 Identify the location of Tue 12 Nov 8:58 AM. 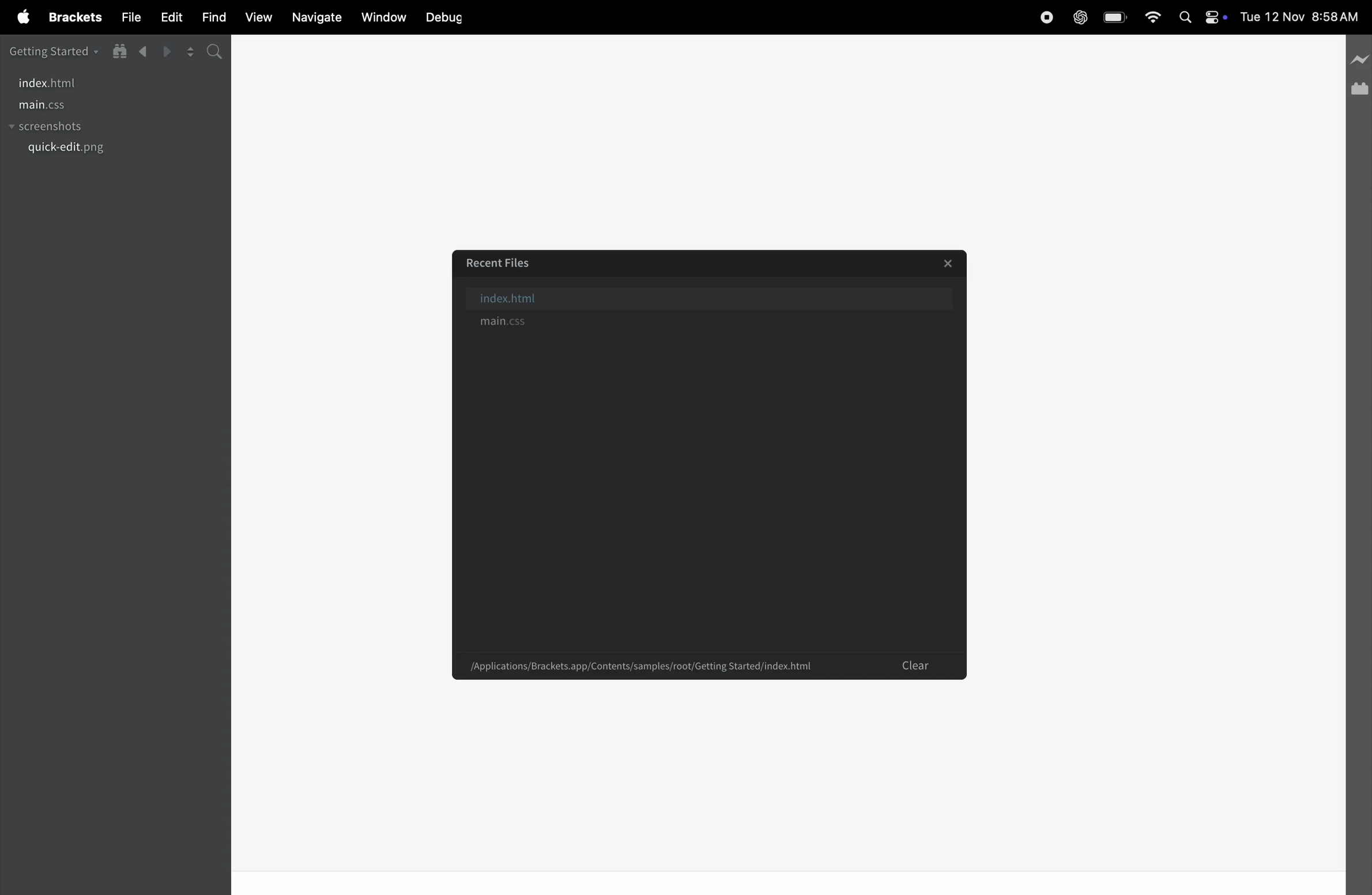
(1305, 14).